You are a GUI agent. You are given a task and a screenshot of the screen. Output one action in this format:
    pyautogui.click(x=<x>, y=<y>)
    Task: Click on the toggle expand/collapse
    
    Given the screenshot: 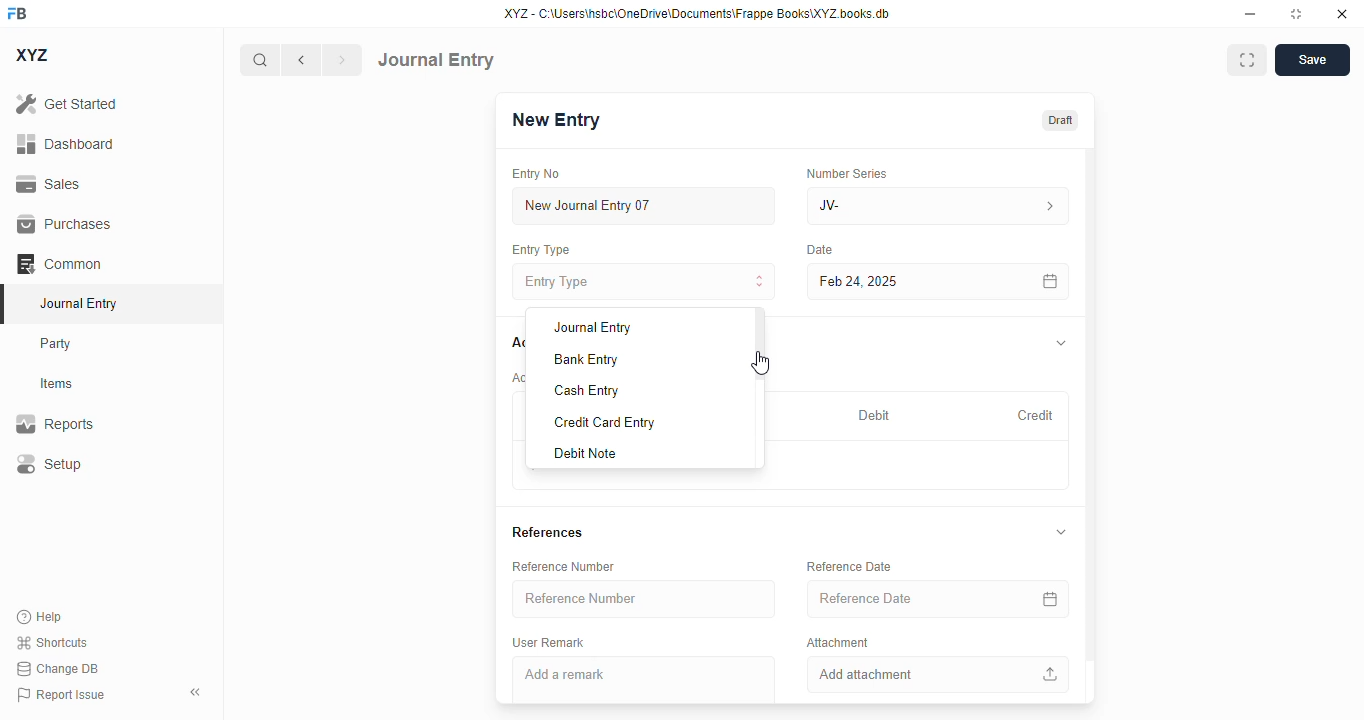 What is the action you would take?
    pyautogui.click(x=1063, y=532)
    